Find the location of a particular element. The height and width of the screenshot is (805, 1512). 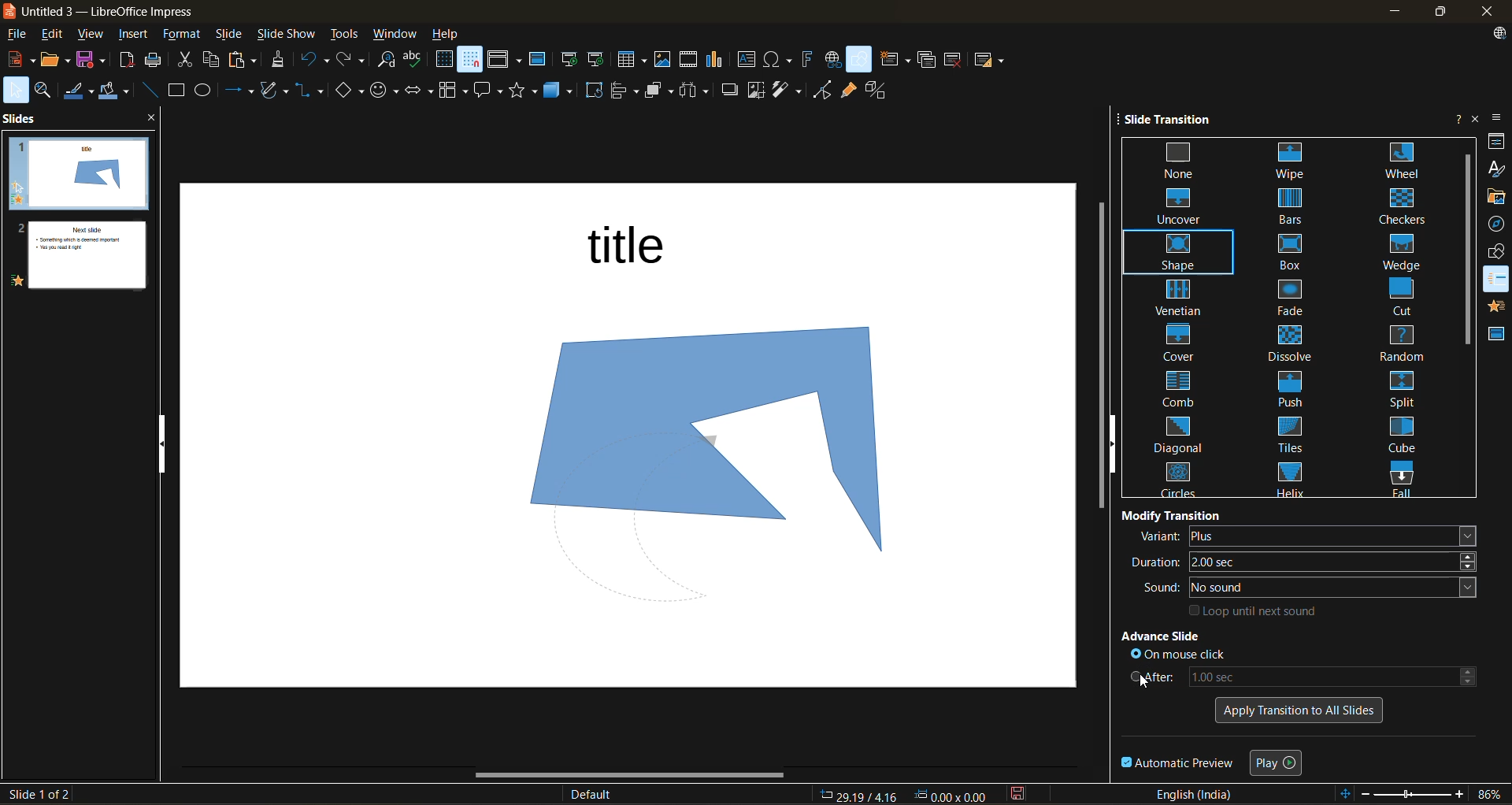

filter is located at coordinates (789, 90).